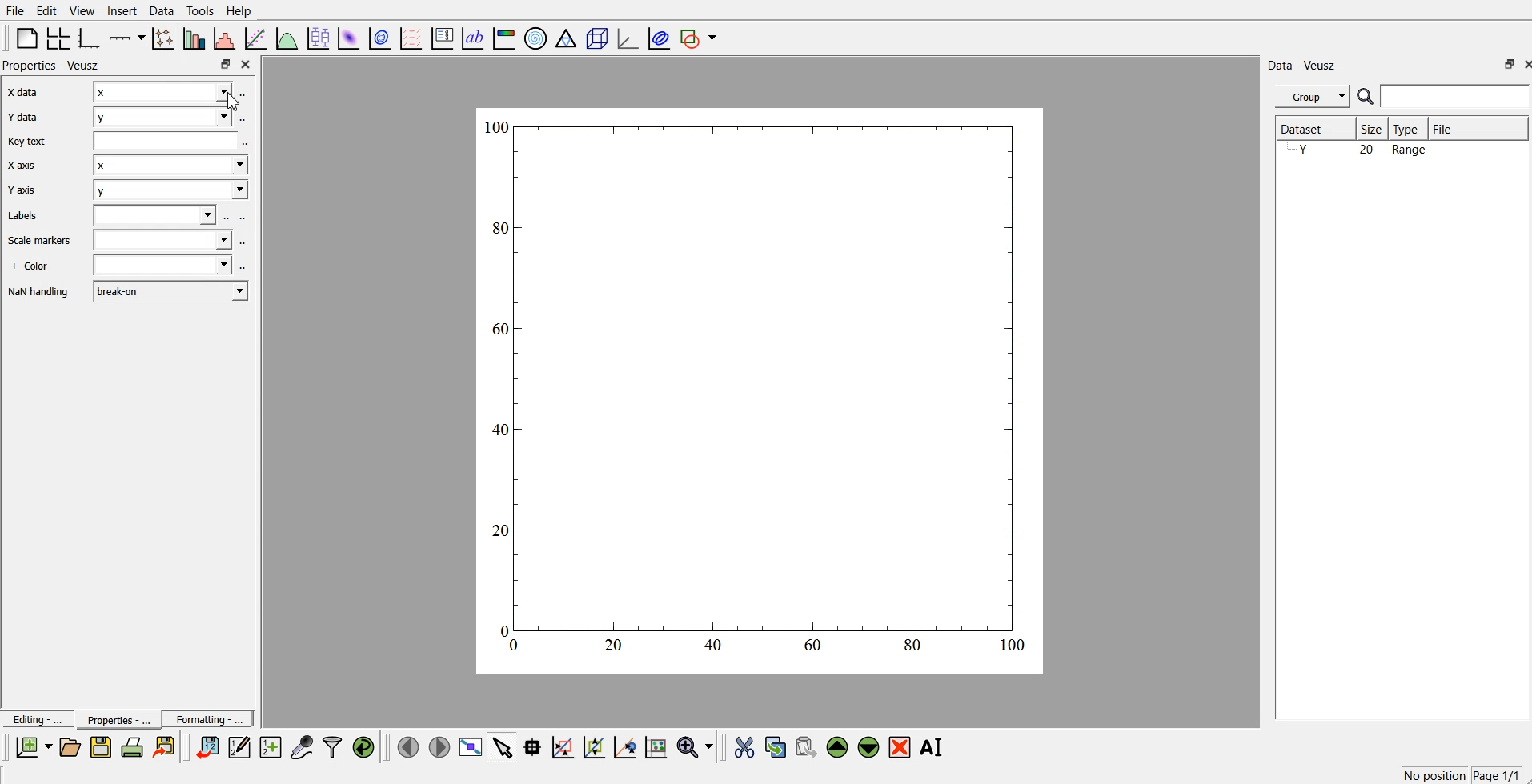 This screenshot has height=784, width=1532. Describe the element at coordinates (762, 390) in the screenshot. I see `page` at that location.